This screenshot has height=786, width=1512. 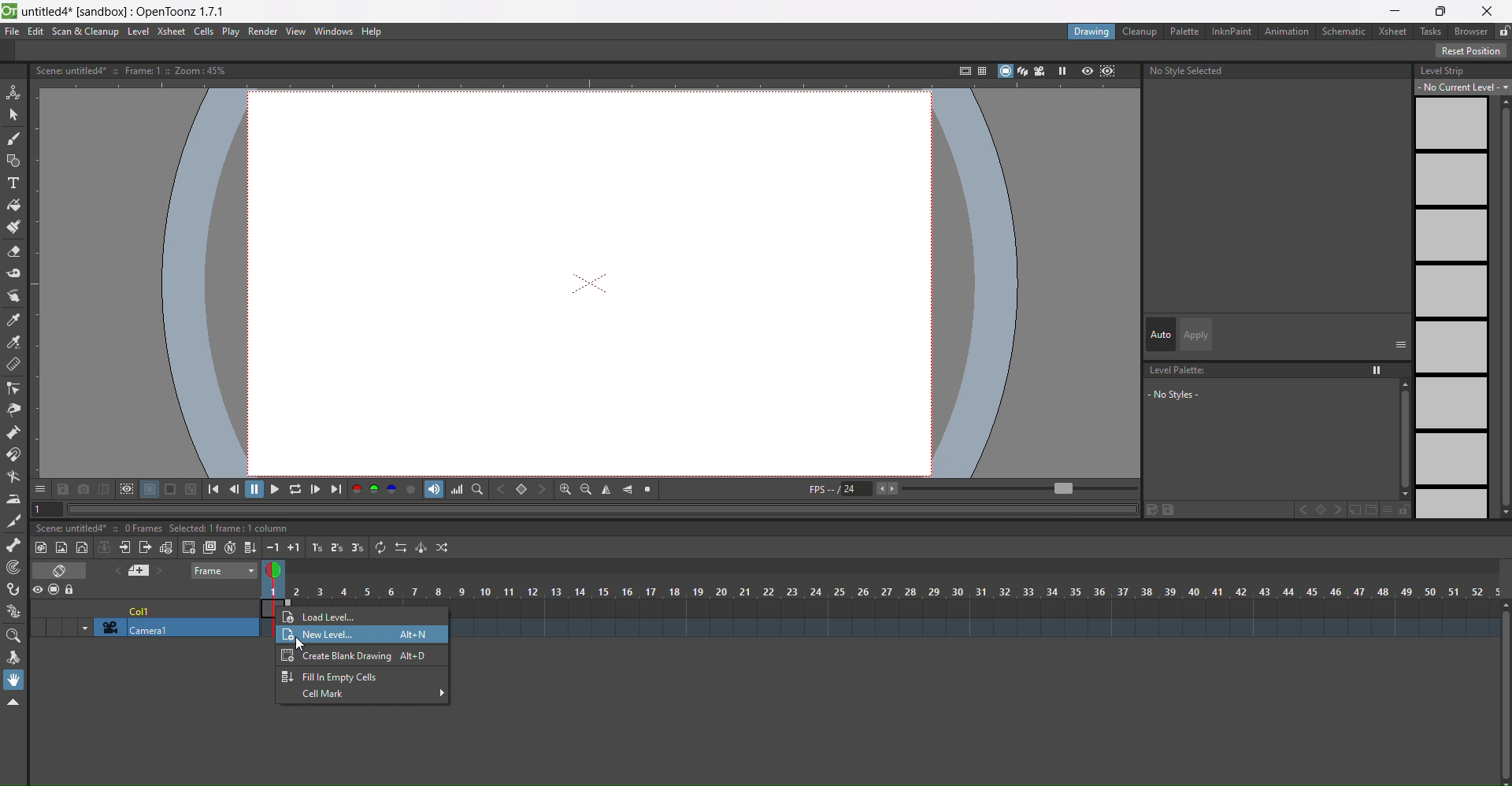 What do you see at coordinates (412, 488) in the screenshot?
I see `alpha chanel` at bounding box center [412, 488].